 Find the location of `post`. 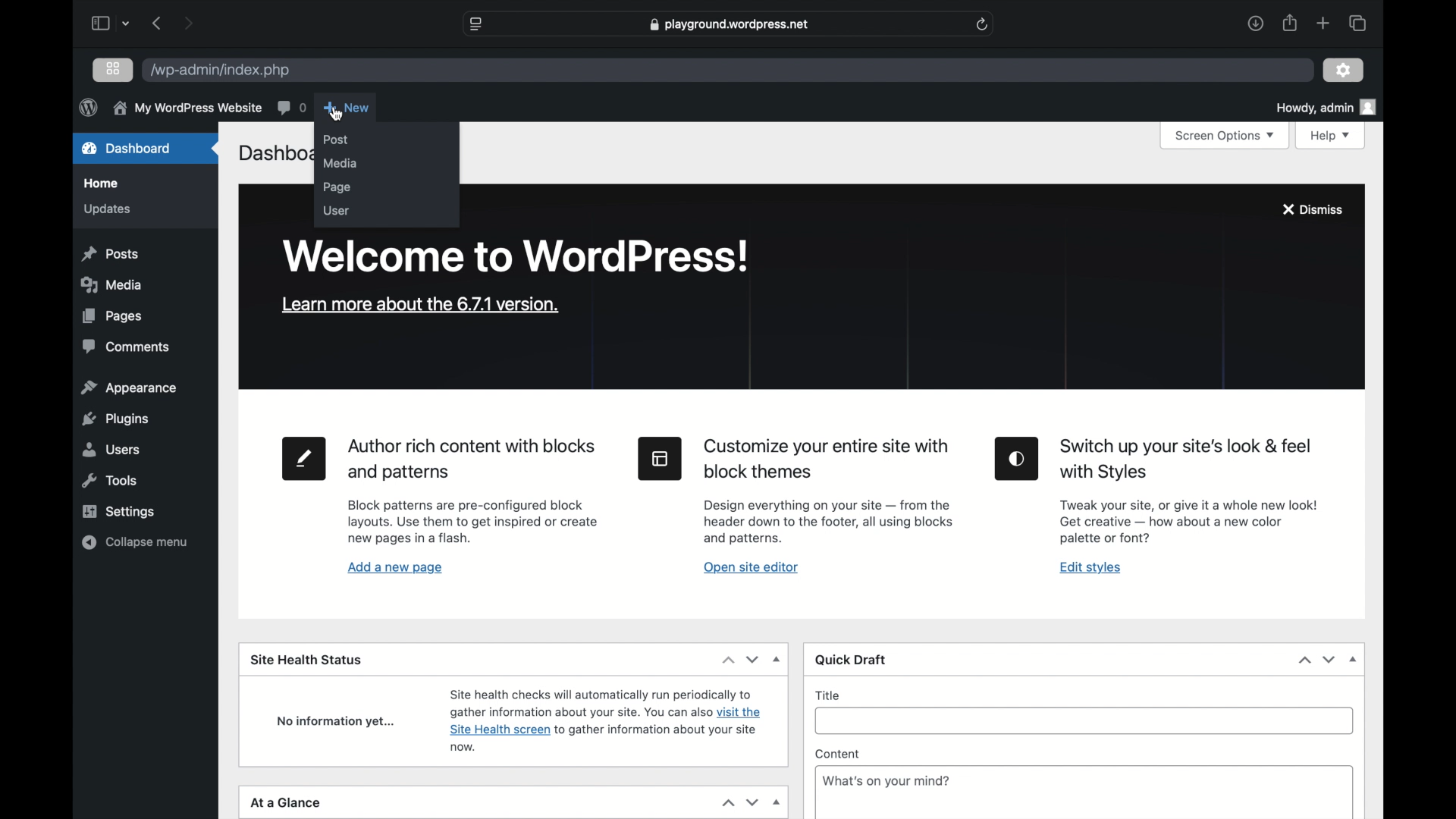

post is located at coordinates (336, 140).